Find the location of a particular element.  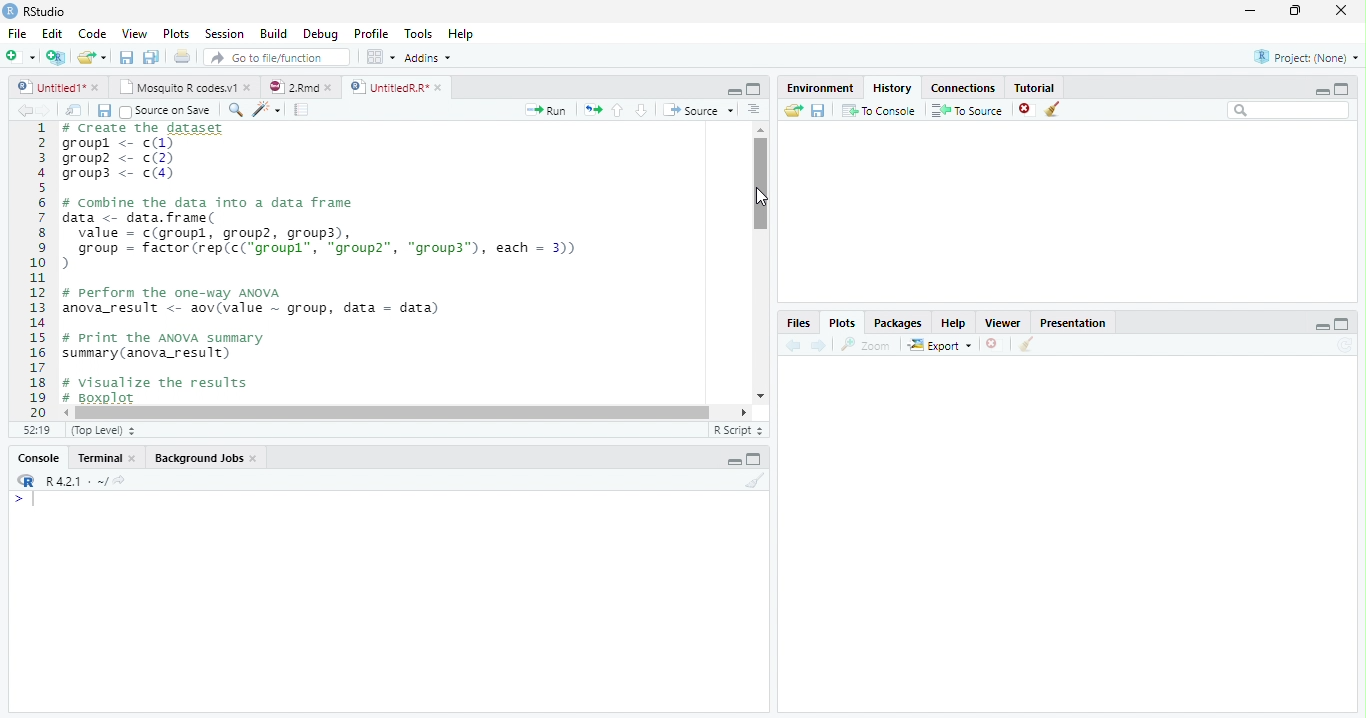

1:1 is located at coordinates (34, 430).